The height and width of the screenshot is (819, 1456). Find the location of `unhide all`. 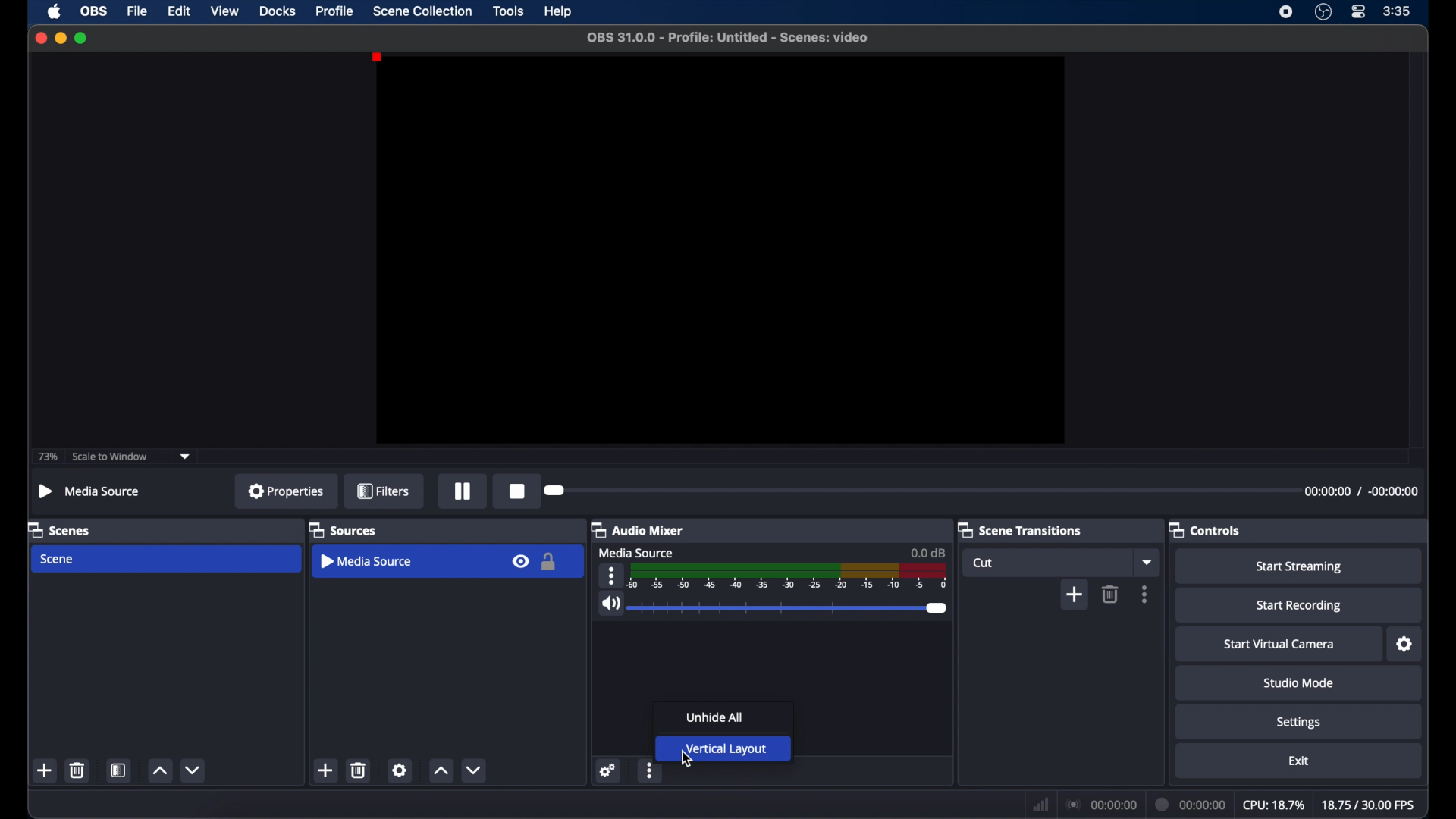

unhide all is located at coordinates (716, 717).